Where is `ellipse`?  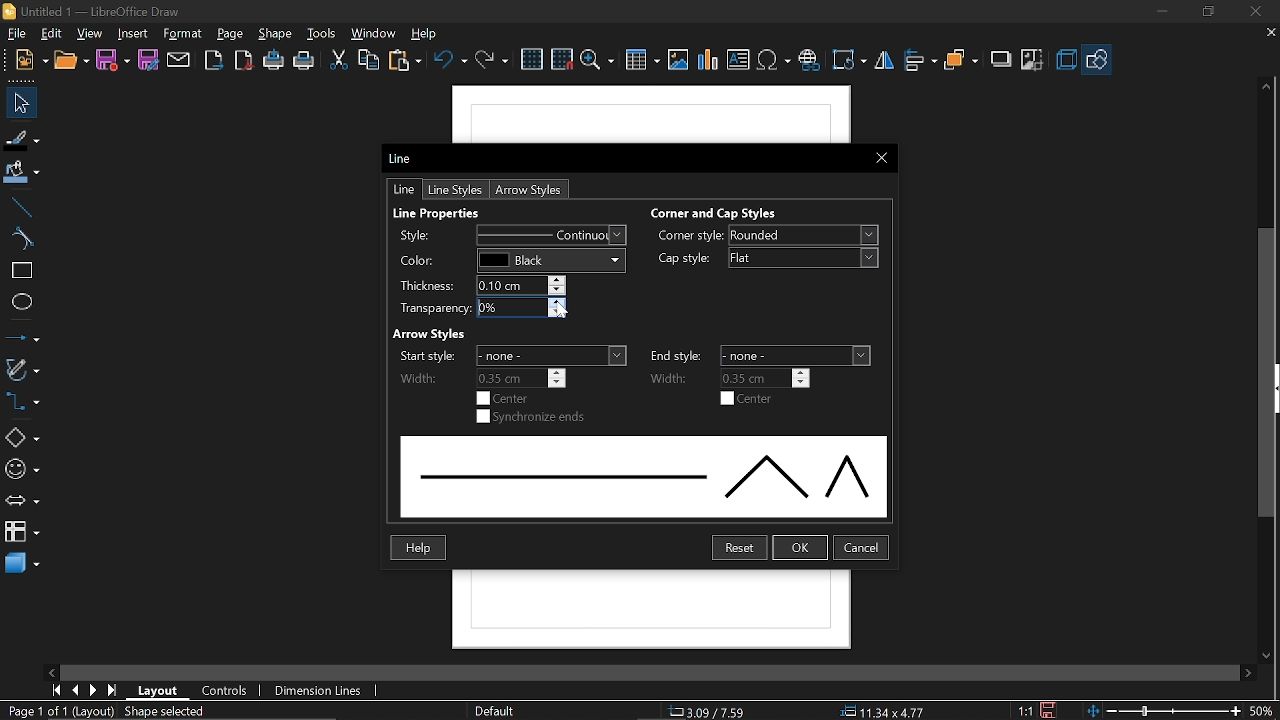 ellipse is located at coordinates (18, 301).